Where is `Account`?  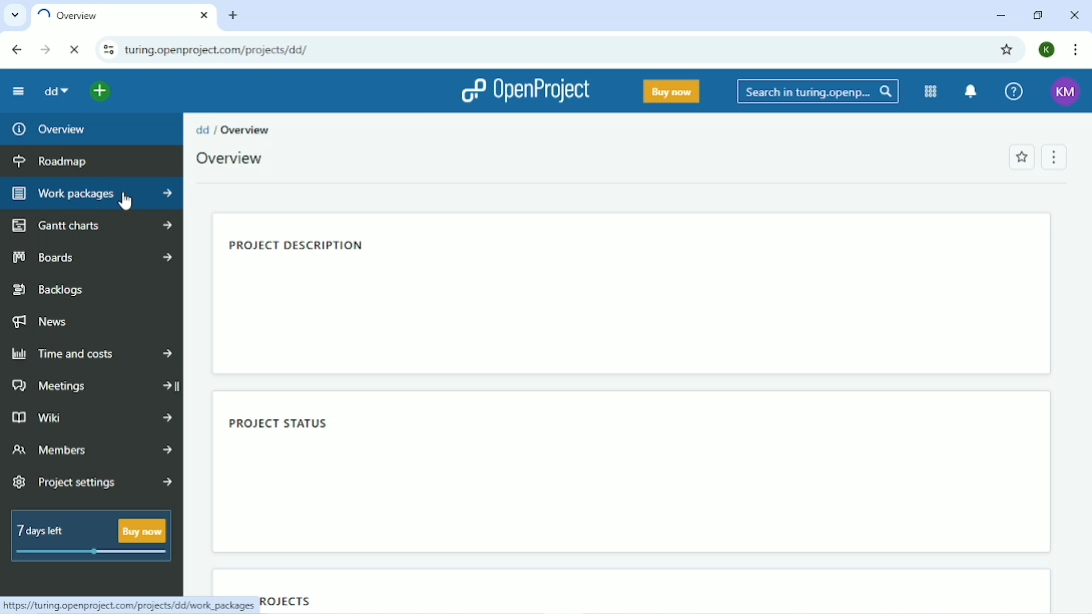 Account is located at coordinates (1046, 50).